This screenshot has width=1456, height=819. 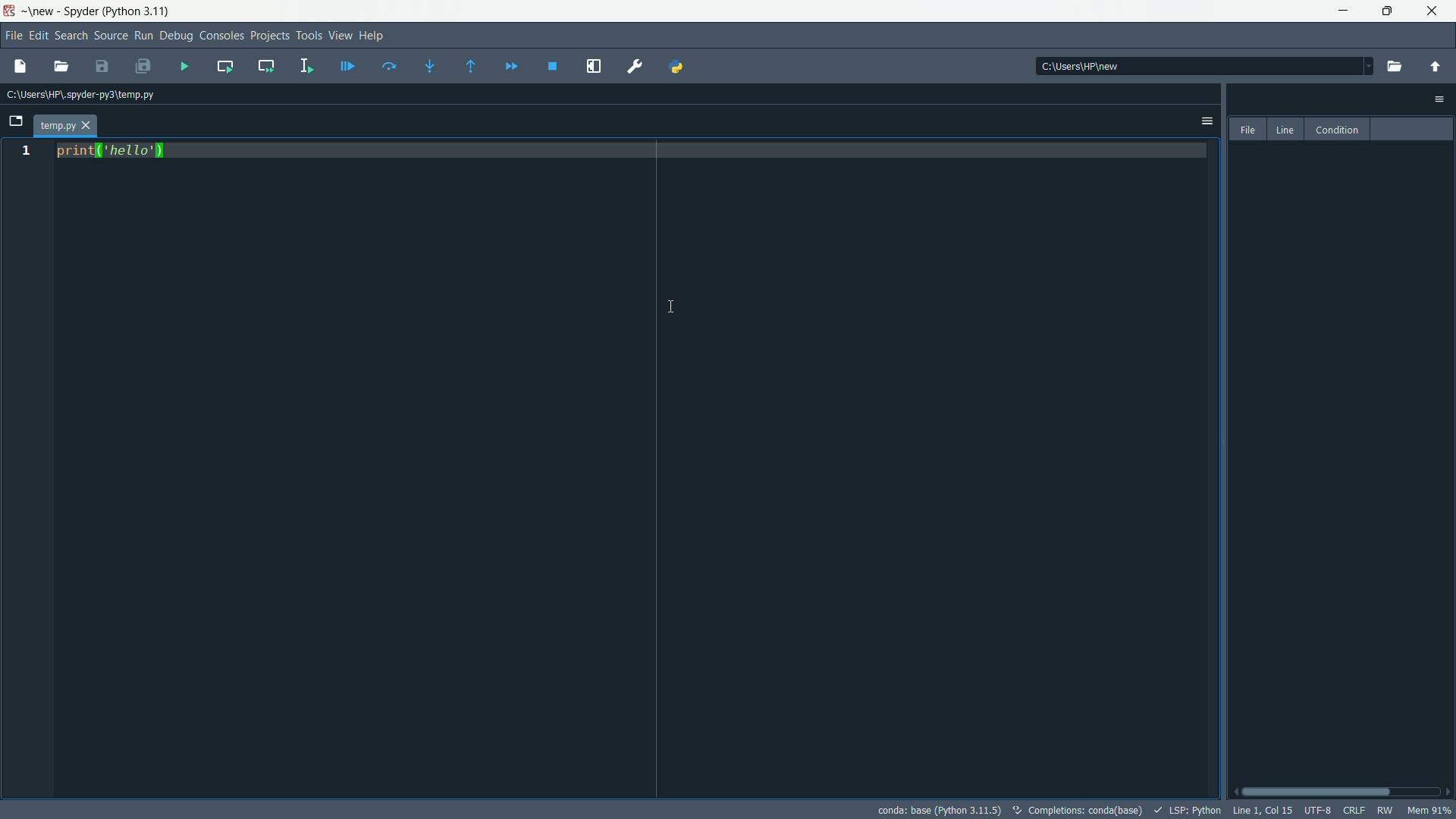 I want to click on browse directory, so click(x=1393, y=66).